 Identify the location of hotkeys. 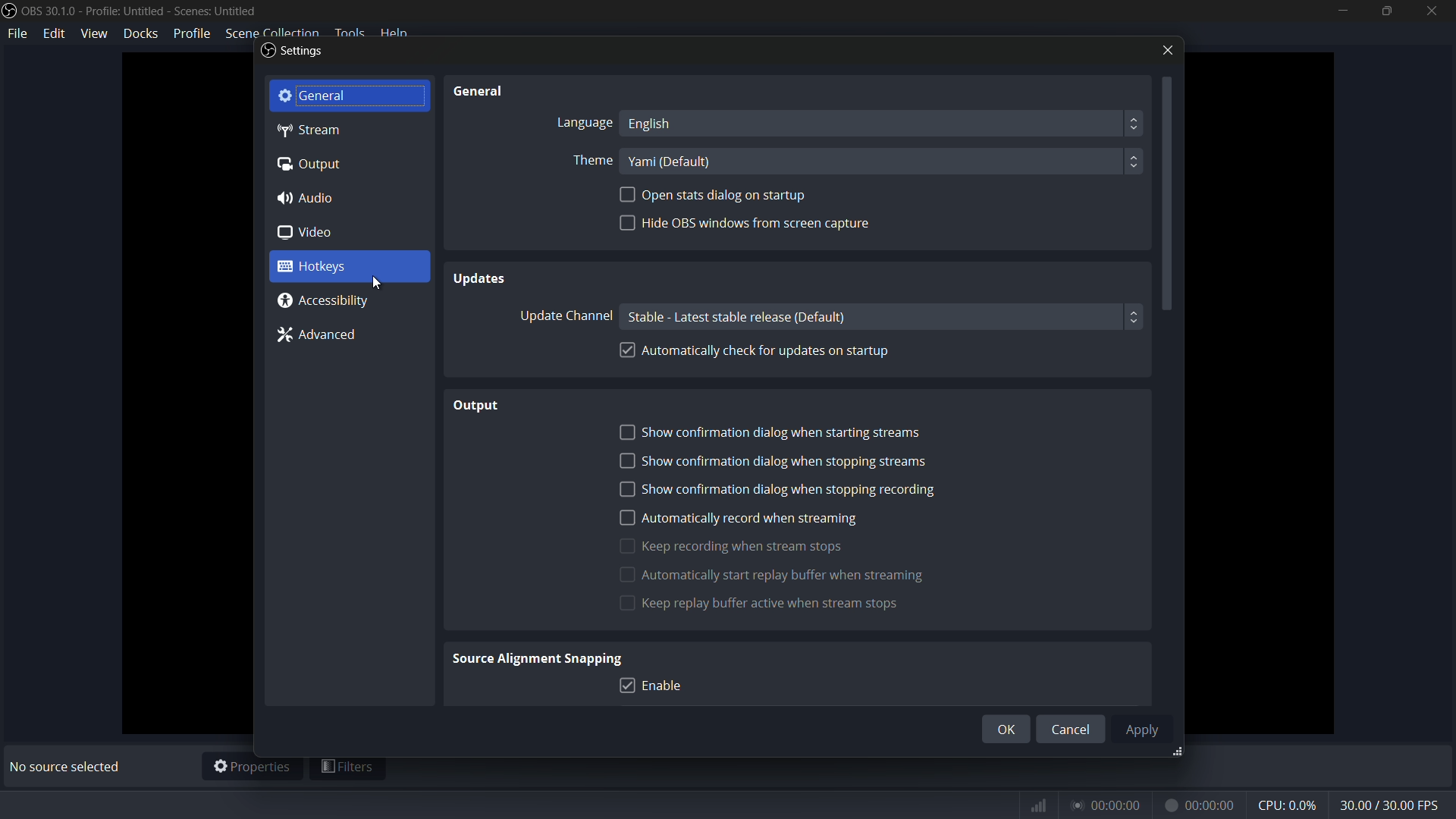
(313, 265).